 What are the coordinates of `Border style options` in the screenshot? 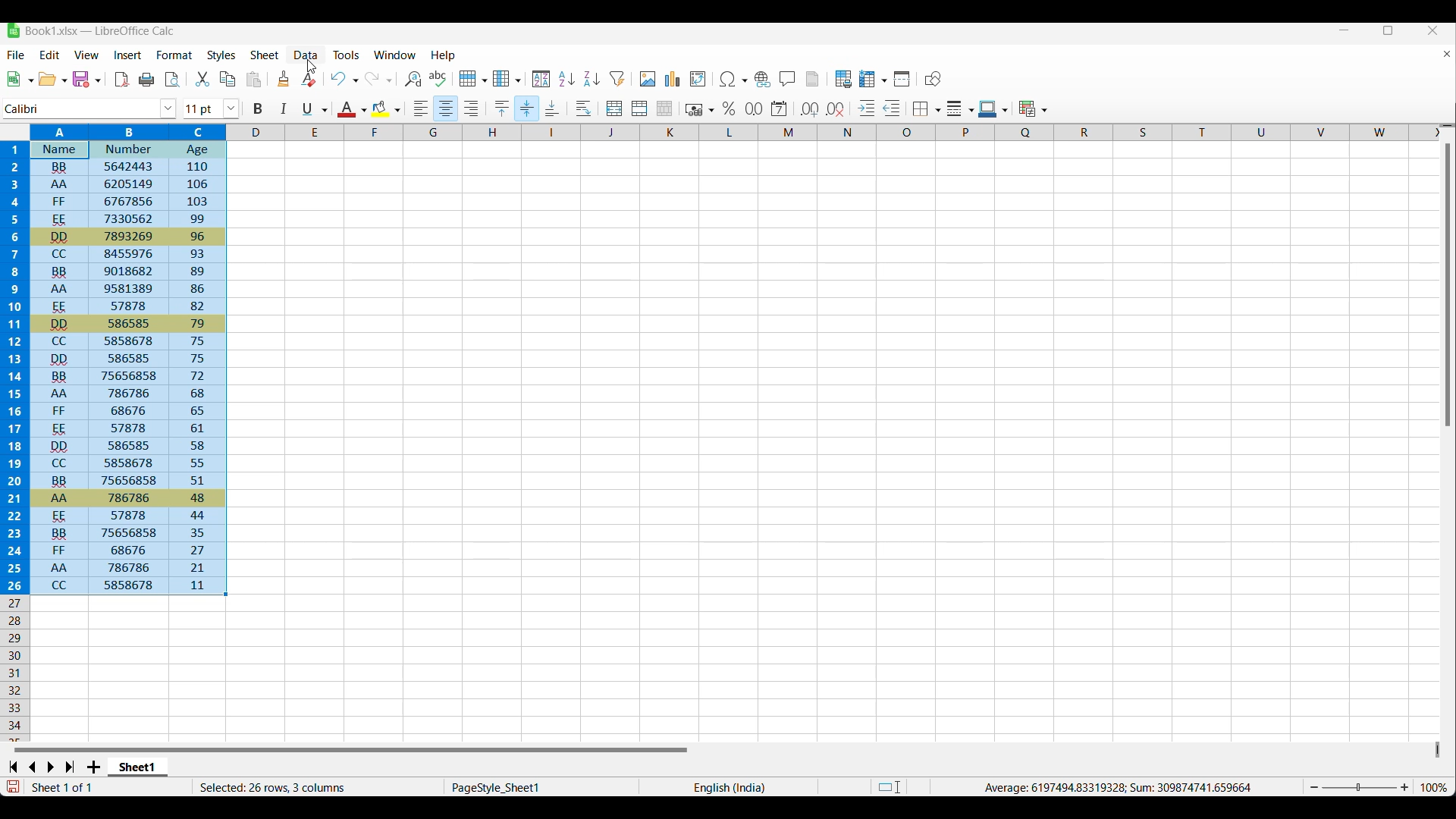 It's located at (961, 109).